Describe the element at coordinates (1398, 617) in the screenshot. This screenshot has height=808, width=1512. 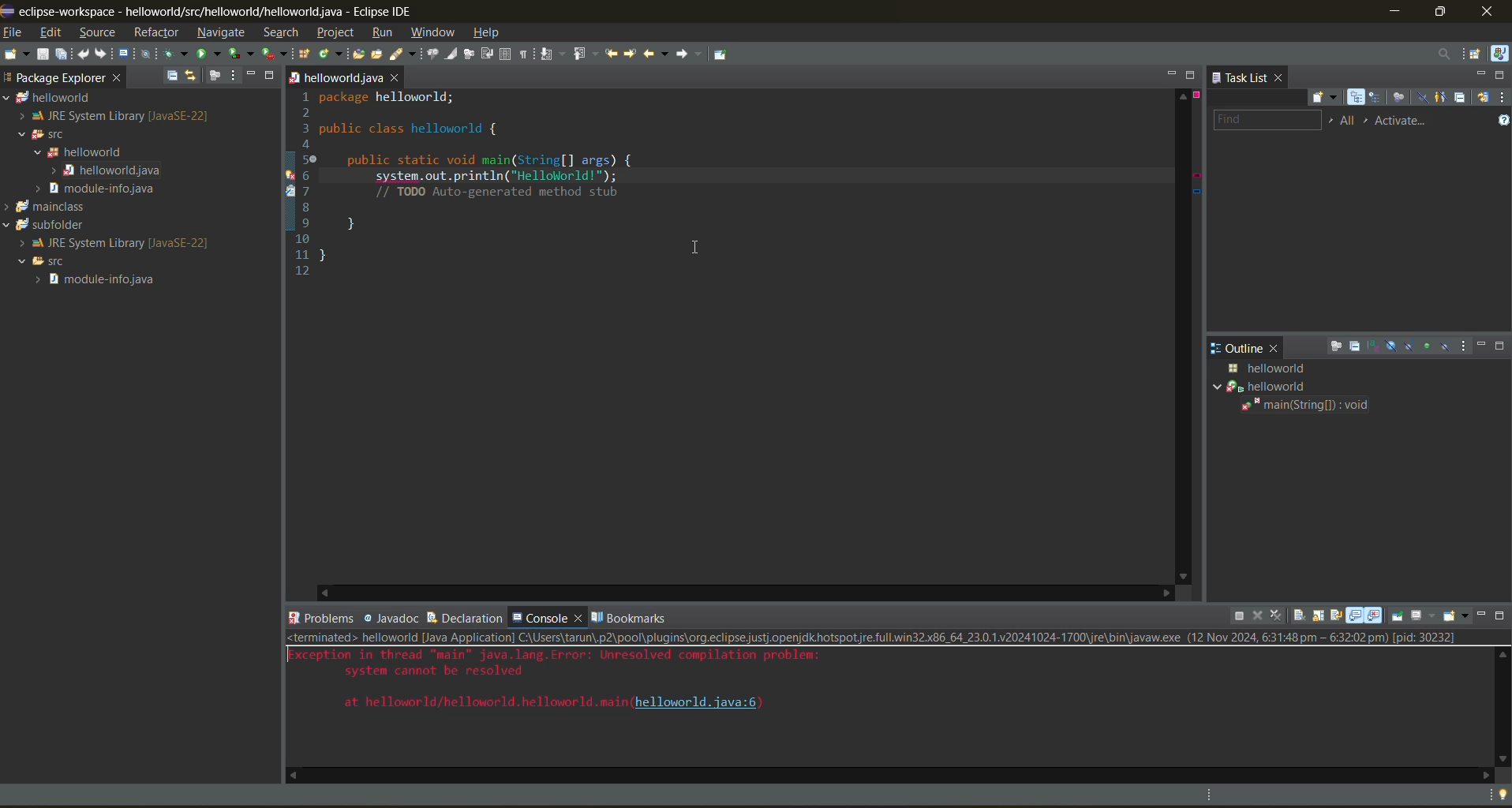
I see `pin console` at that location.